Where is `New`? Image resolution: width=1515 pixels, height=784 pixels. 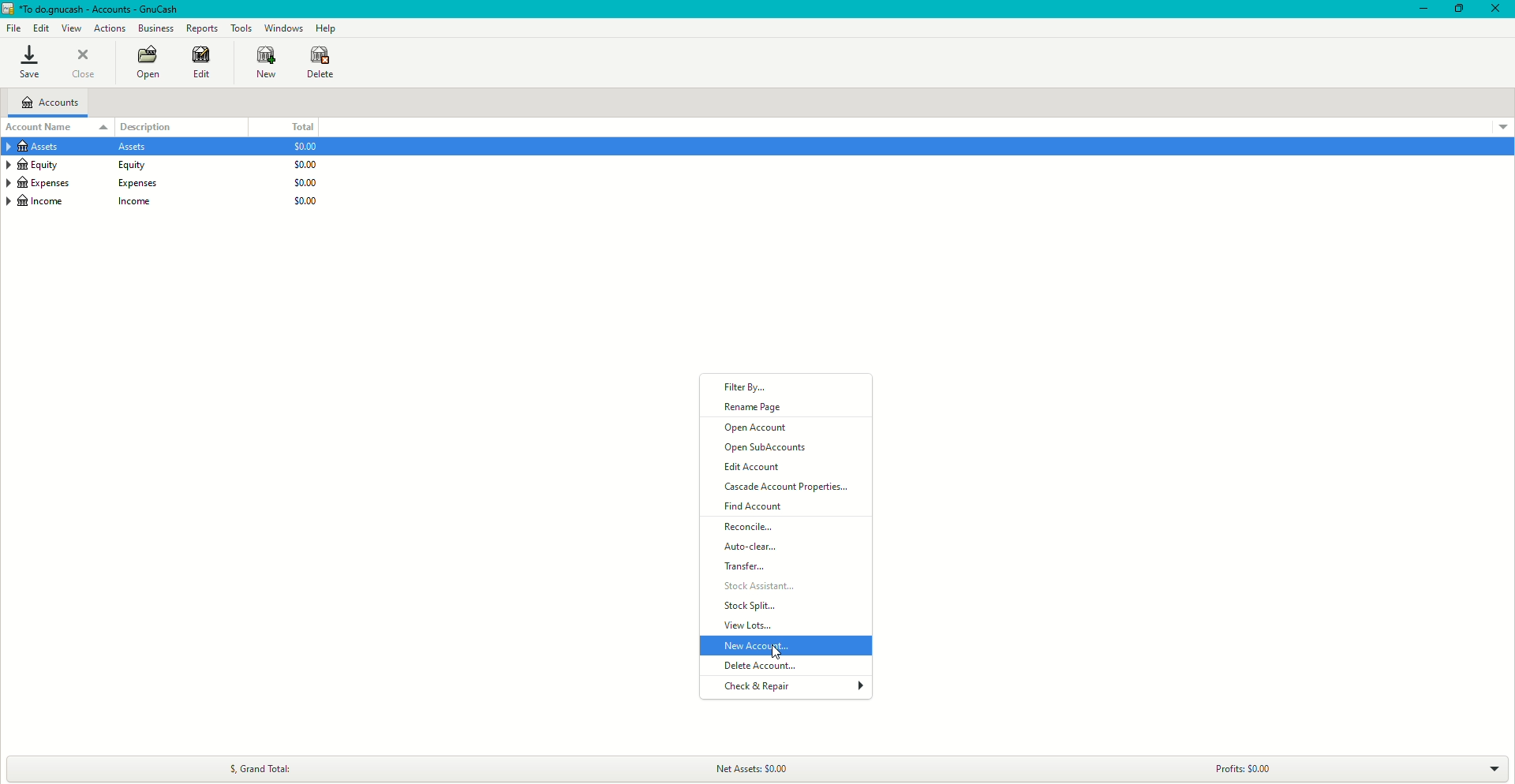
New is located at coordinates (258, 62).